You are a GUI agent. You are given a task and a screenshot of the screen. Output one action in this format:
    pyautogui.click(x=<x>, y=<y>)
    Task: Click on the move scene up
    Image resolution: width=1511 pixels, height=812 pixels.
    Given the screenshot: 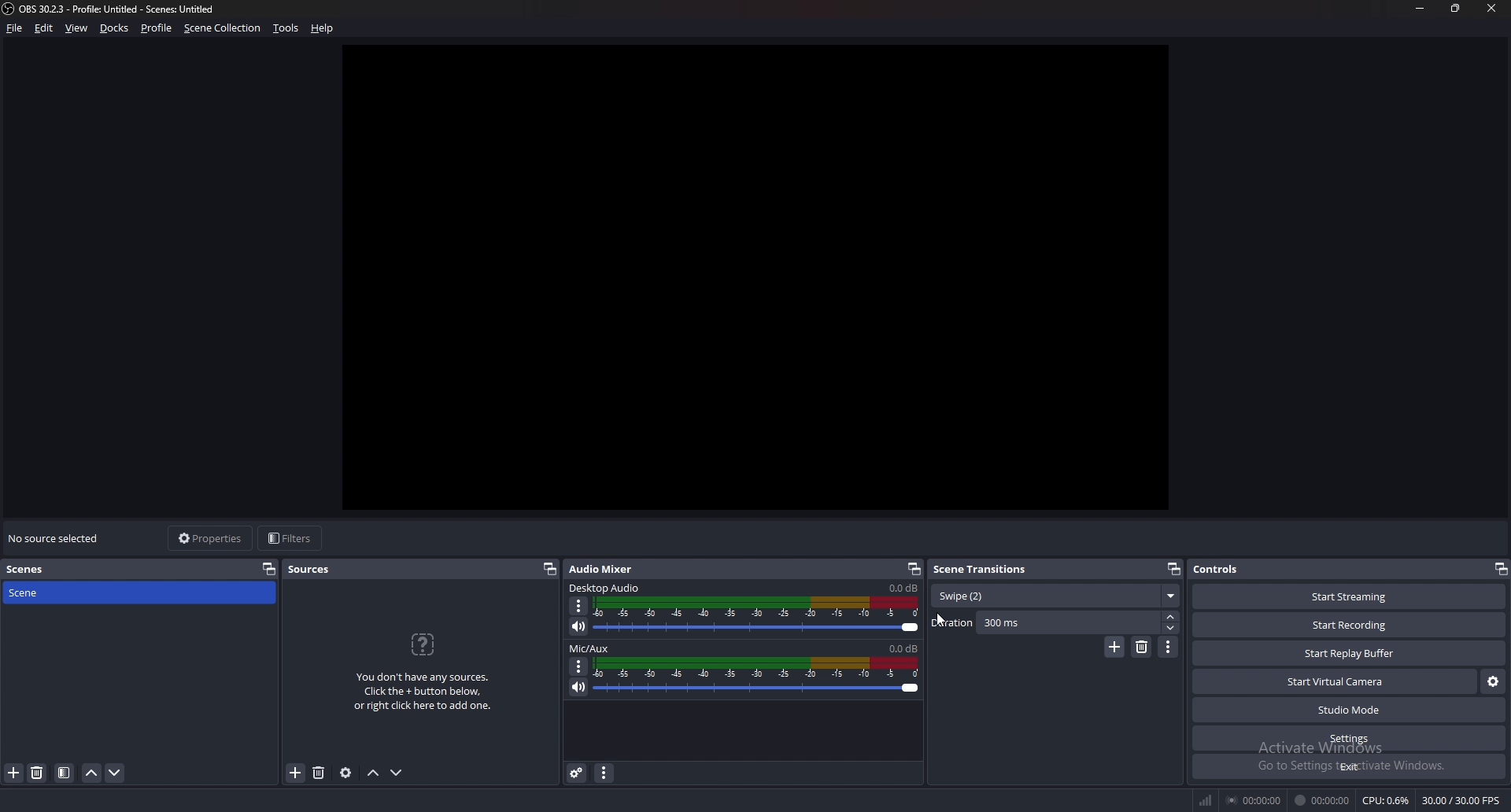 What is the action you would take?
    pyautogui.click(x=91, y=773)
    